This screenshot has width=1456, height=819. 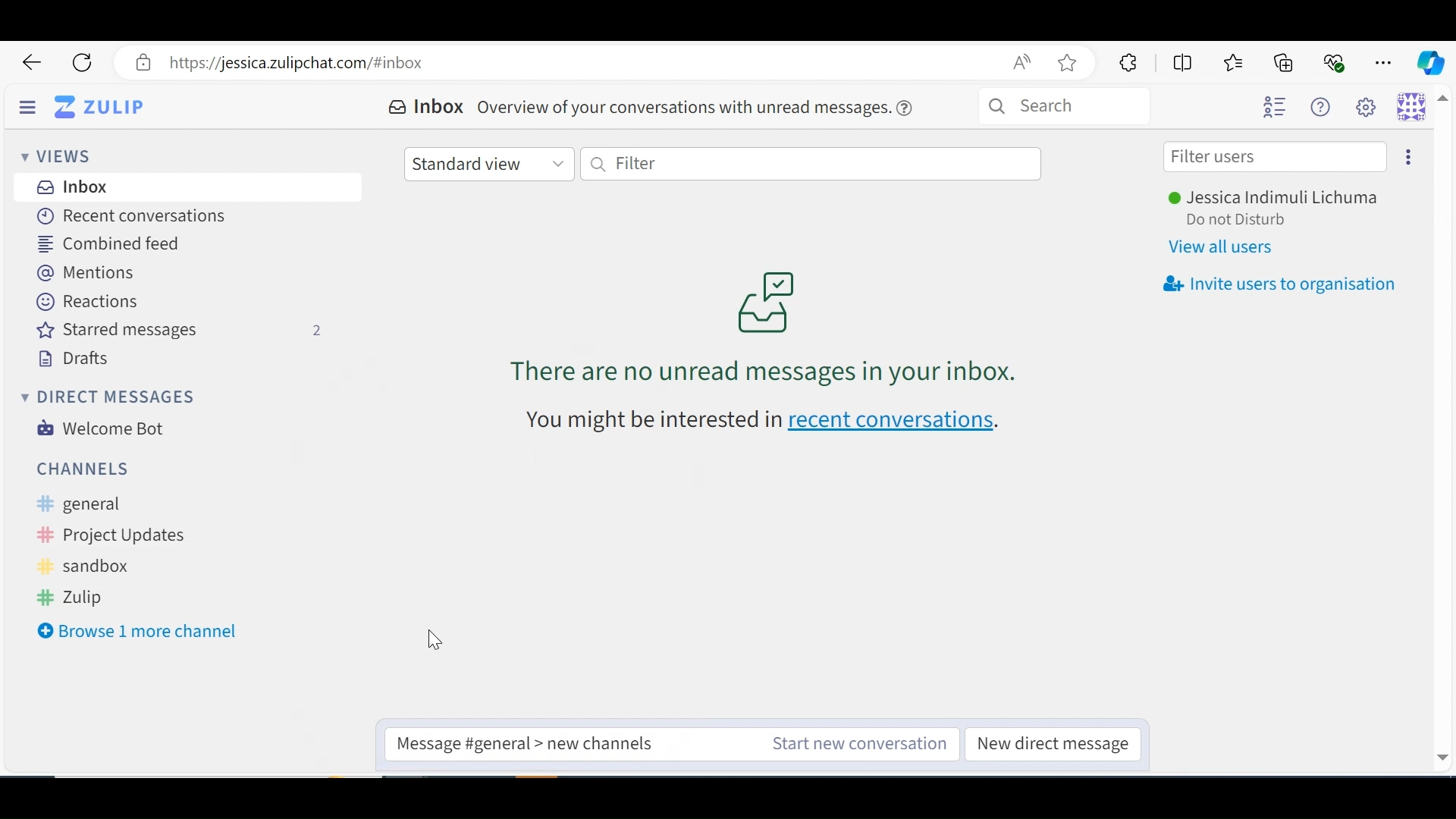 I want to click on Inbox, so click(x=428, y=108).